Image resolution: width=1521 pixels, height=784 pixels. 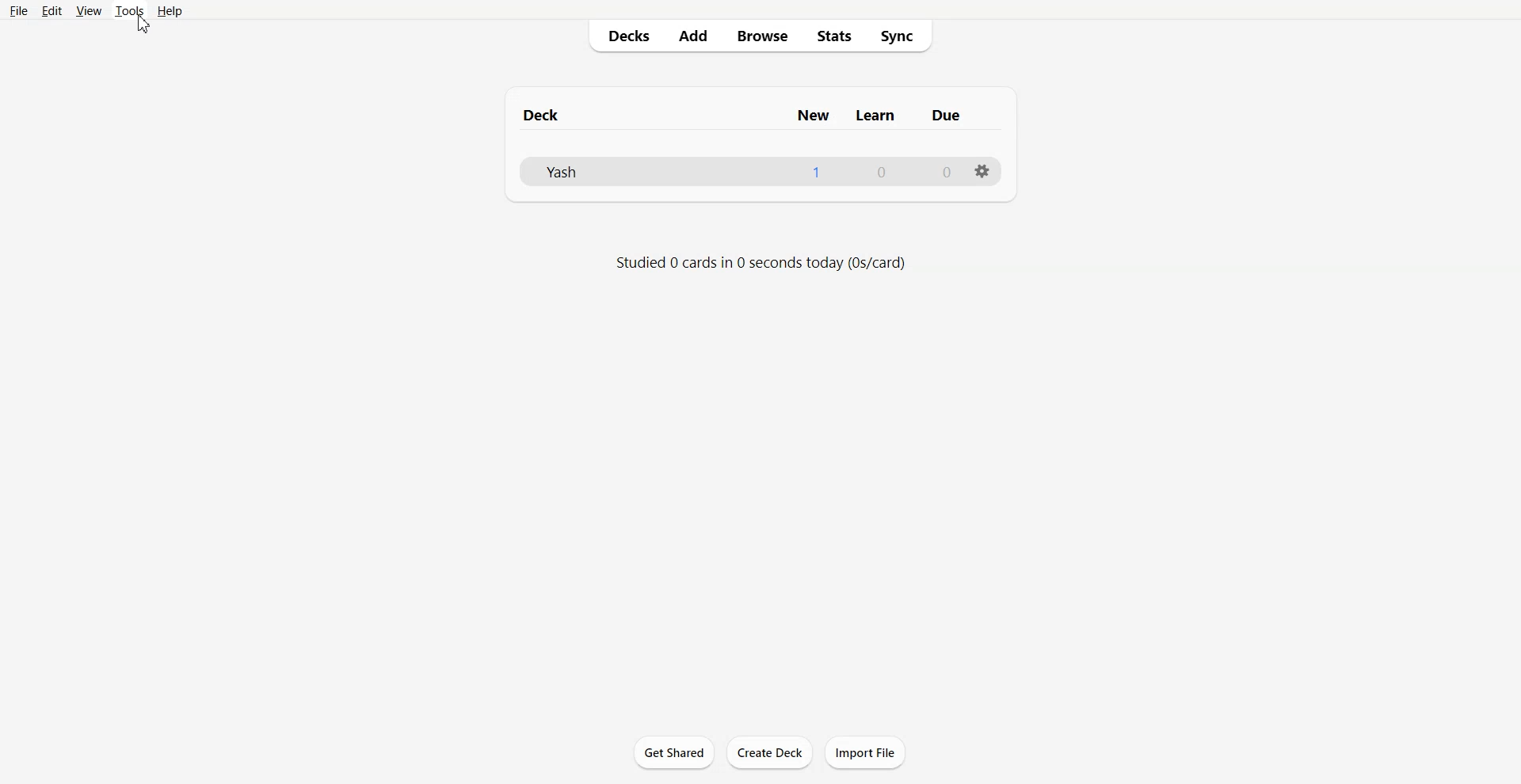 What do you see at coordinates (949, 171) in the screenshot?
I see `0` at bounding box center [949, 171].